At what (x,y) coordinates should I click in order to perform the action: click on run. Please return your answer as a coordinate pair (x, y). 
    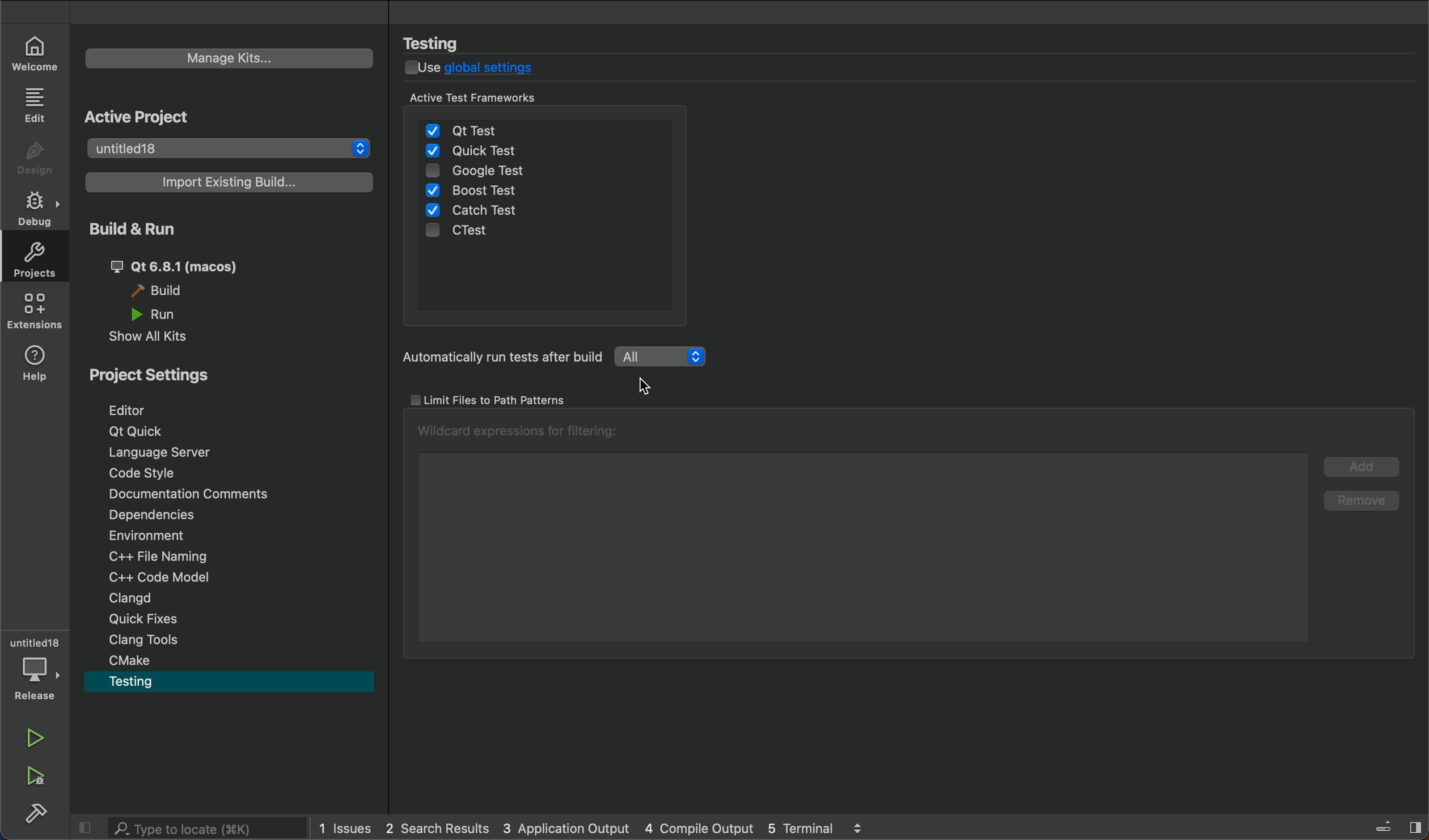
    Looking at the image, I should click on (158, 314).